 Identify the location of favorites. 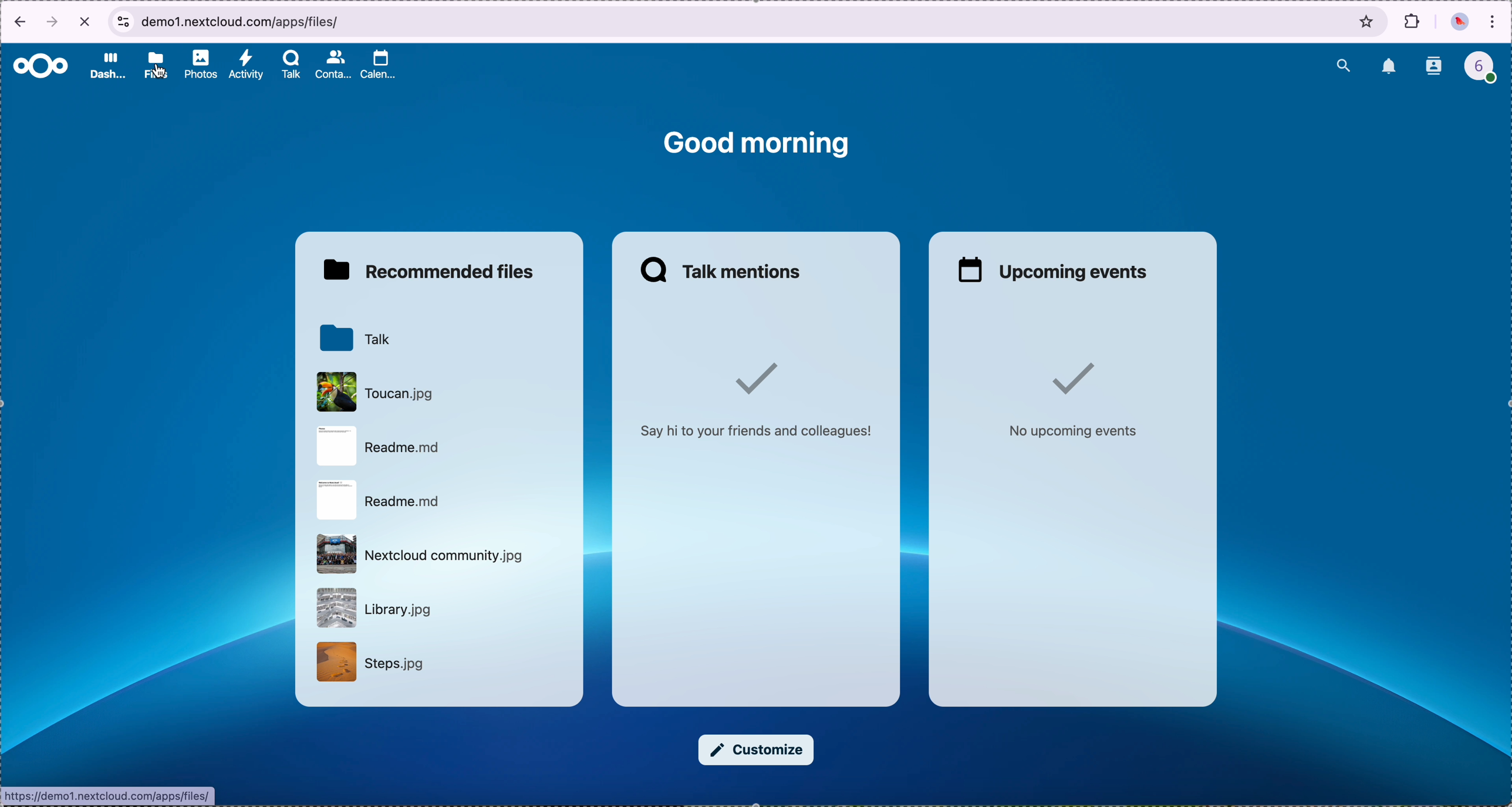
(1368, 21).